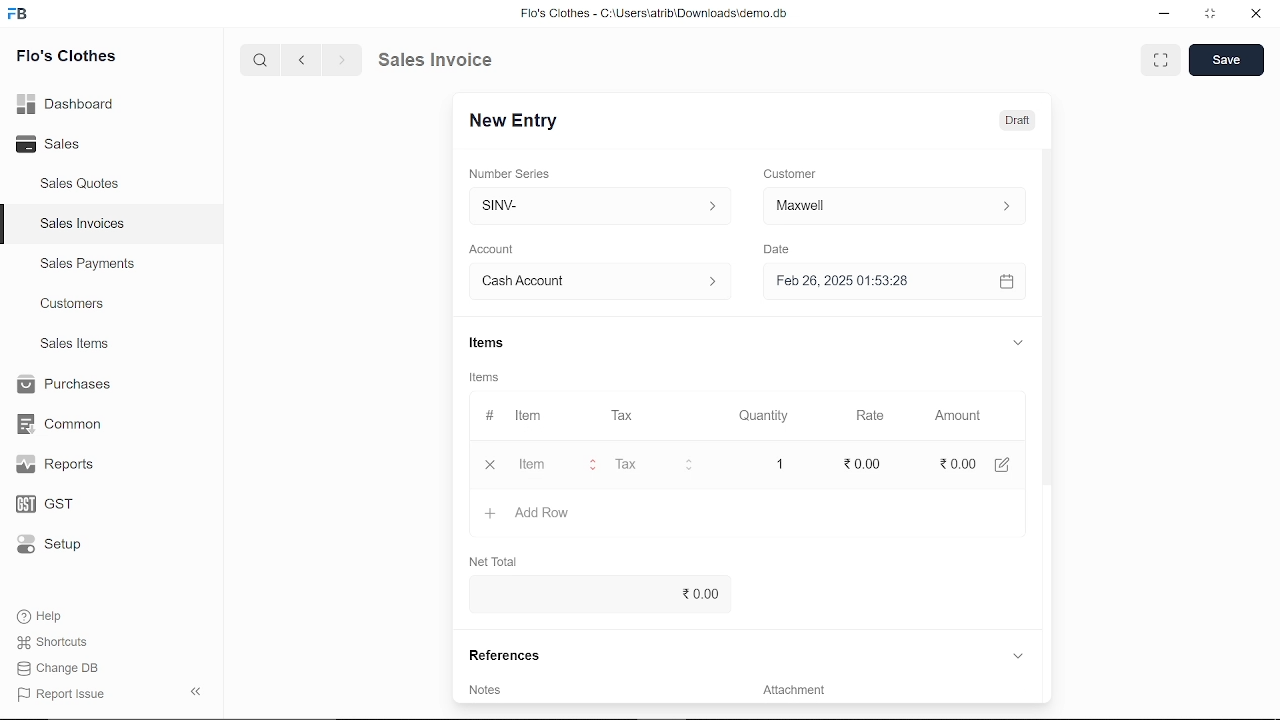 This screenshot has width=1280, height=720. What do you see at coordinates (342, 60) in the screenshot?
I see `next` at bounding box center [342, 60].